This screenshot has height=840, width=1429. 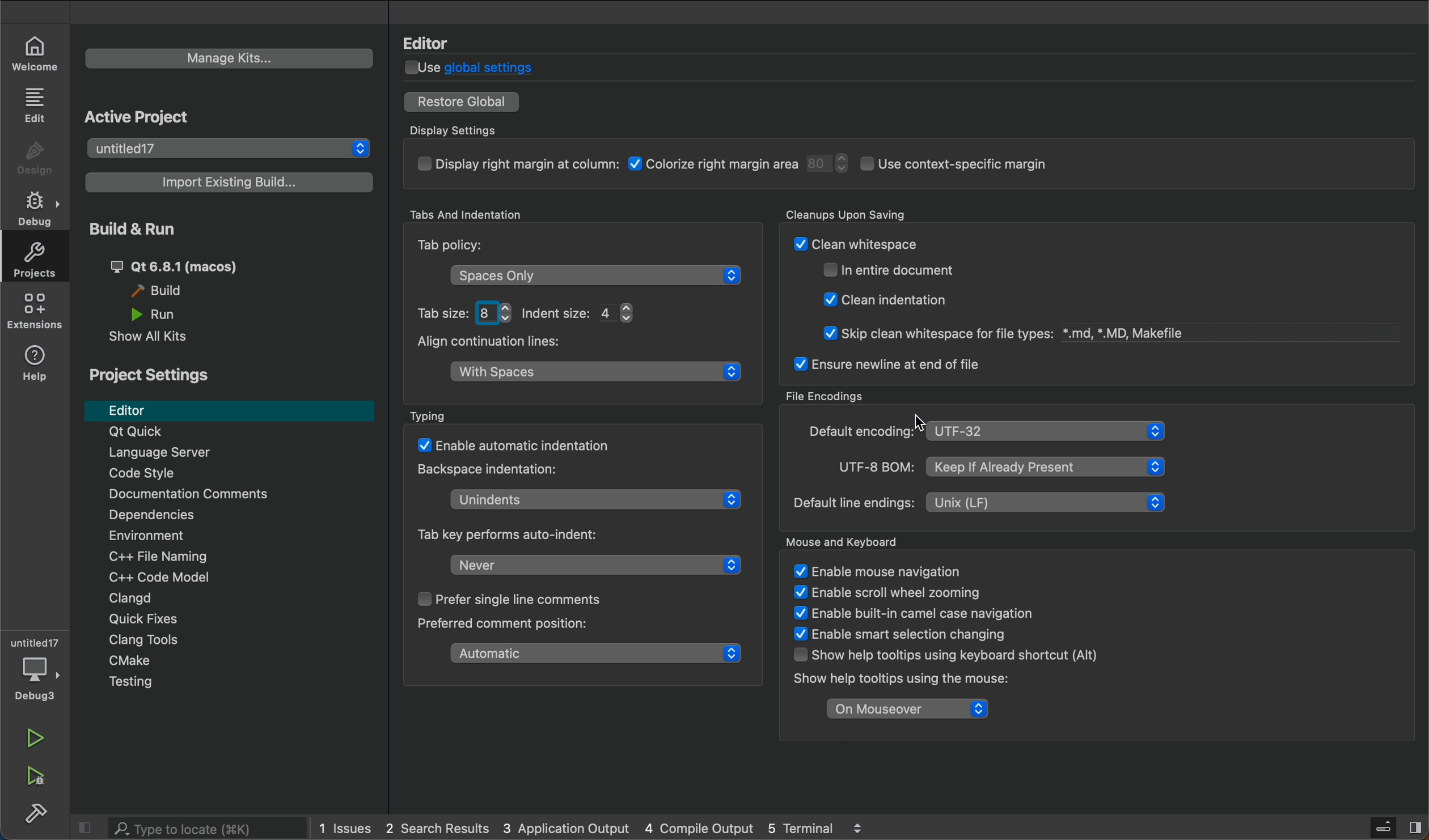 What do you see at coordinates (598, 376) in the screenshot?
I see `align` at bounding box center [598, 376].